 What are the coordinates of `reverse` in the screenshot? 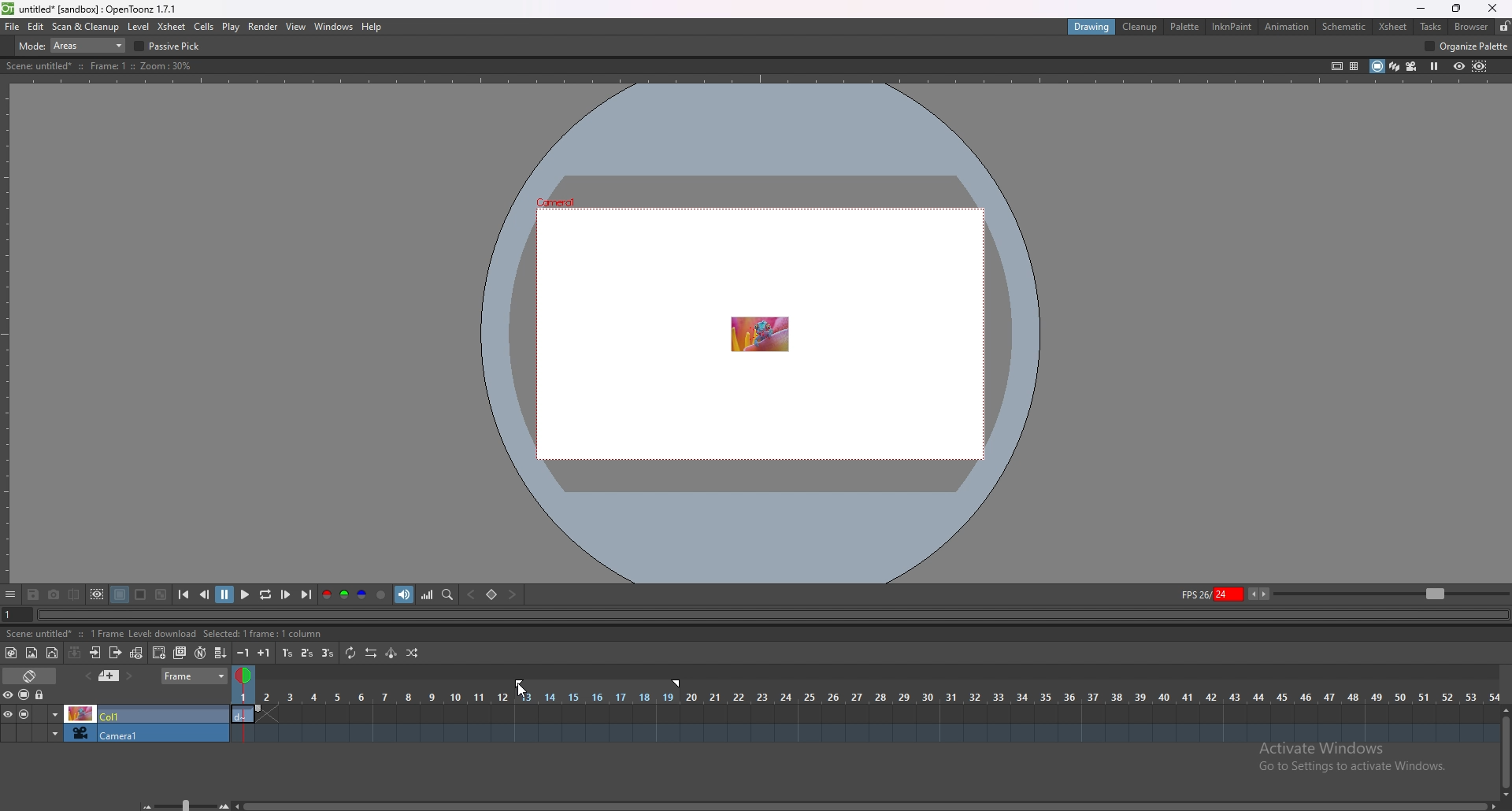 It's located at (372, 653).